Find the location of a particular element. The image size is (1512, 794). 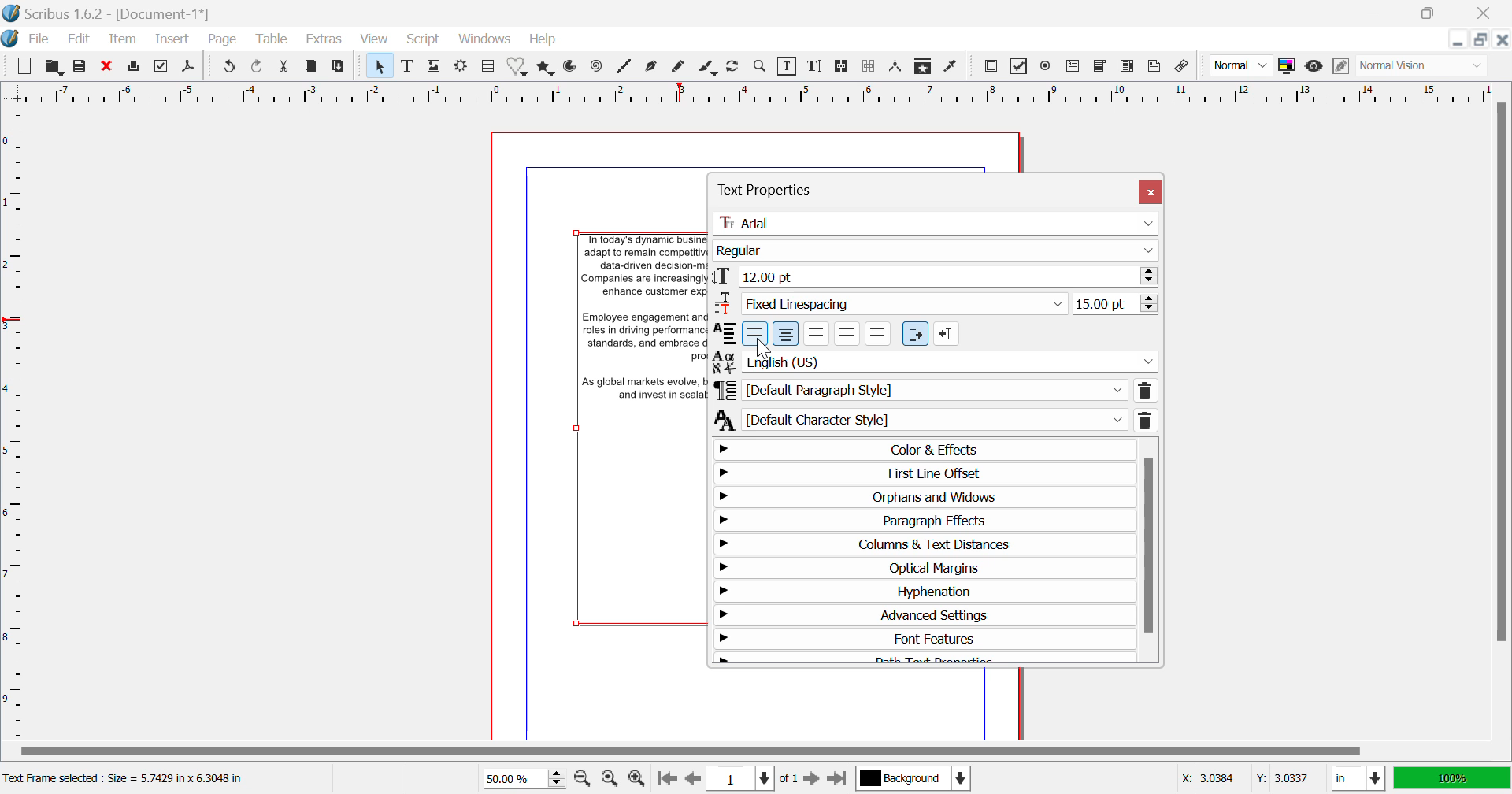

Extras is located at coordinates (327, 39).